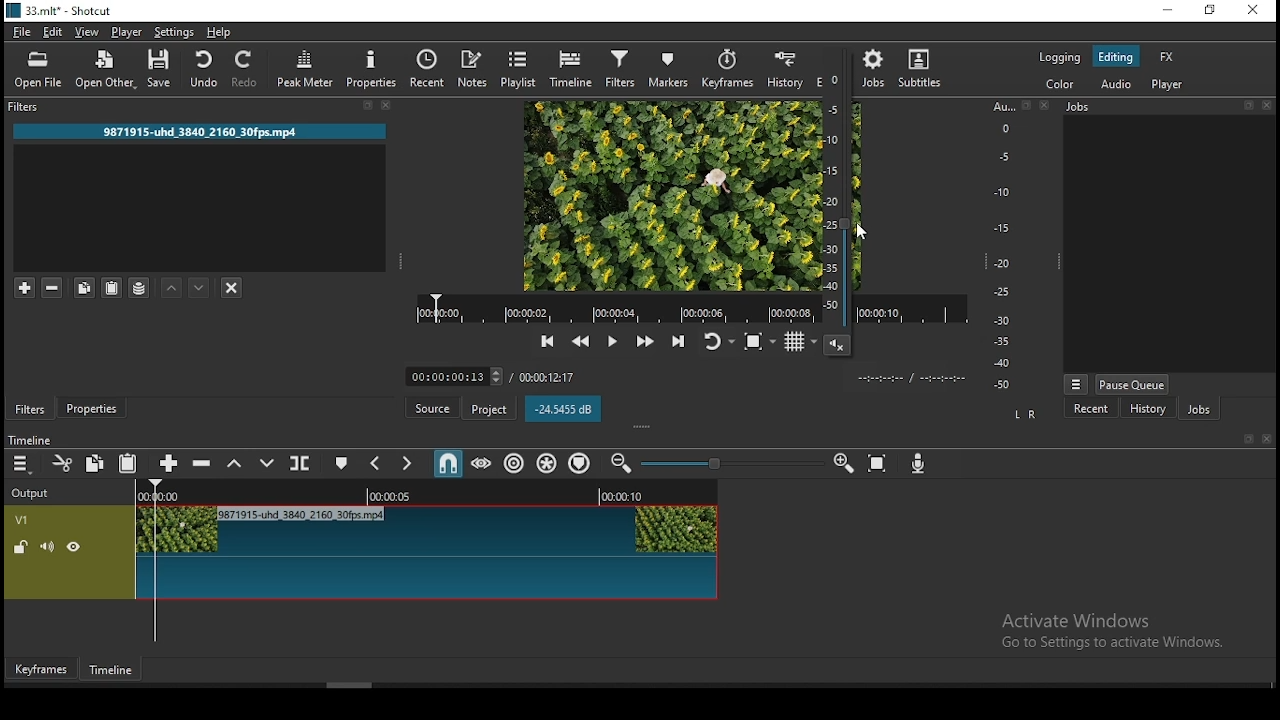  Describe the element at coordinates (375, 464) in the screenshot. I see `previous marker` at that location.